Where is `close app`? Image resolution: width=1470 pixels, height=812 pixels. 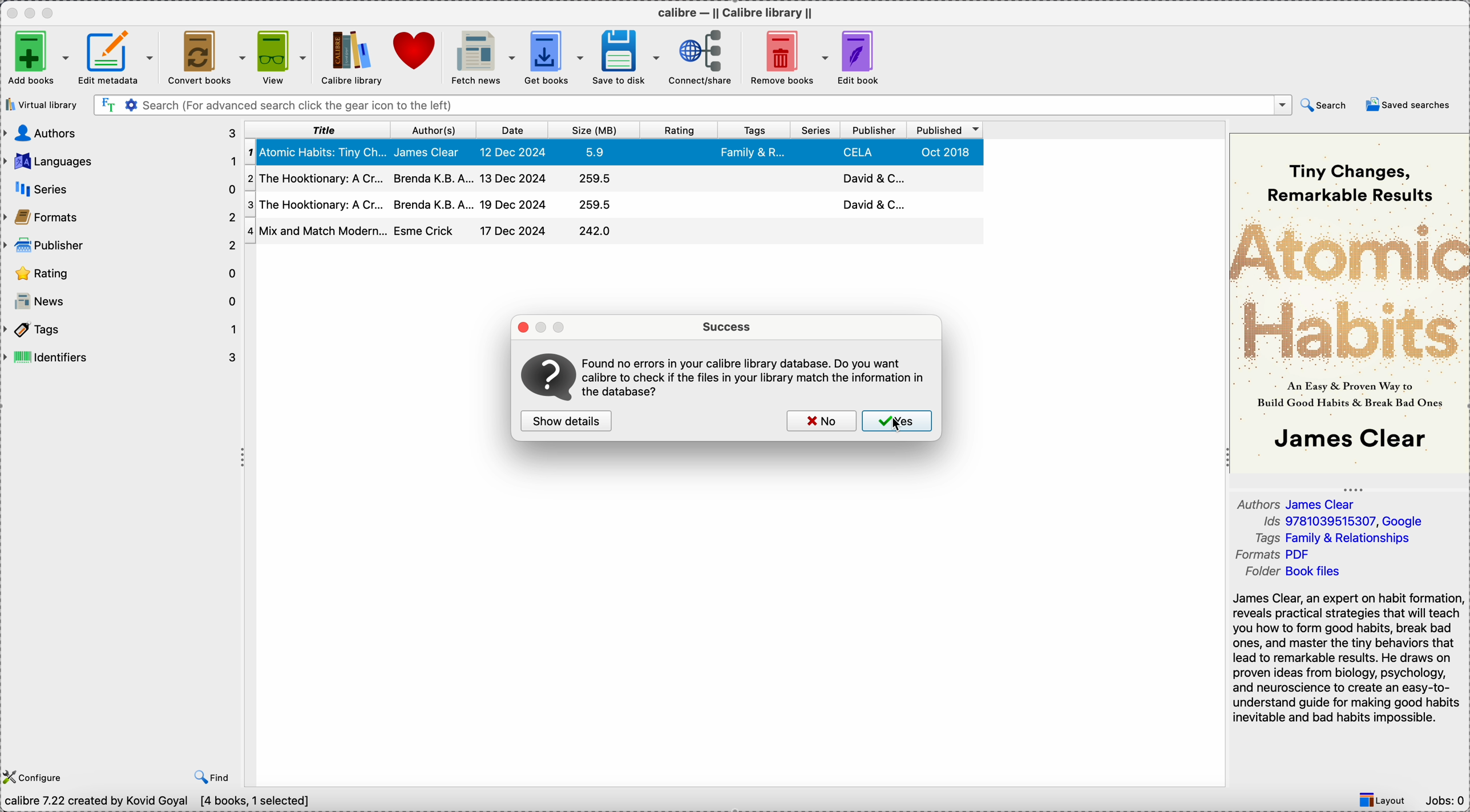 close app is located at coordinates (9, 13).